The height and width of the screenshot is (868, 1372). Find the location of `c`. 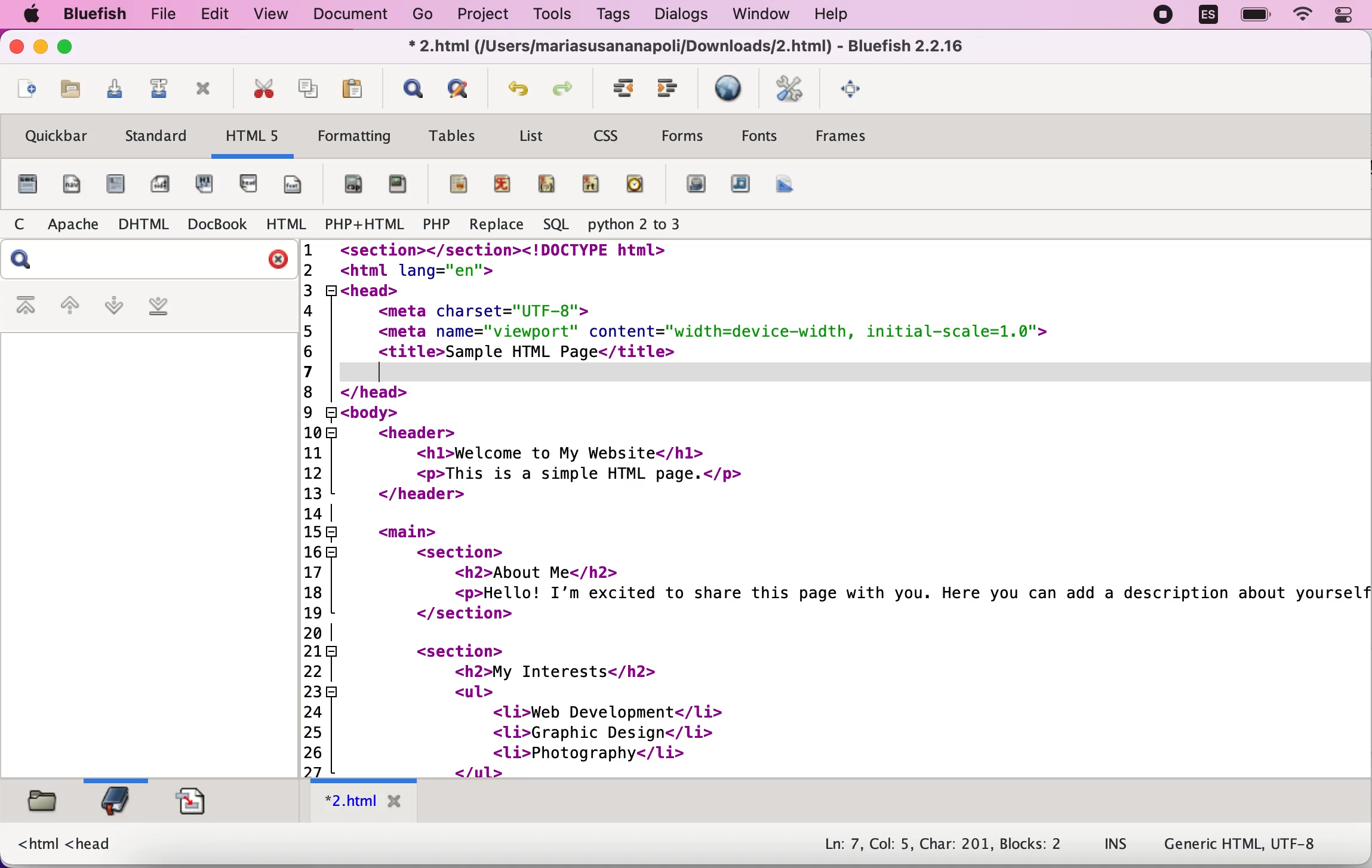

c is located at coordinates (26, 224).